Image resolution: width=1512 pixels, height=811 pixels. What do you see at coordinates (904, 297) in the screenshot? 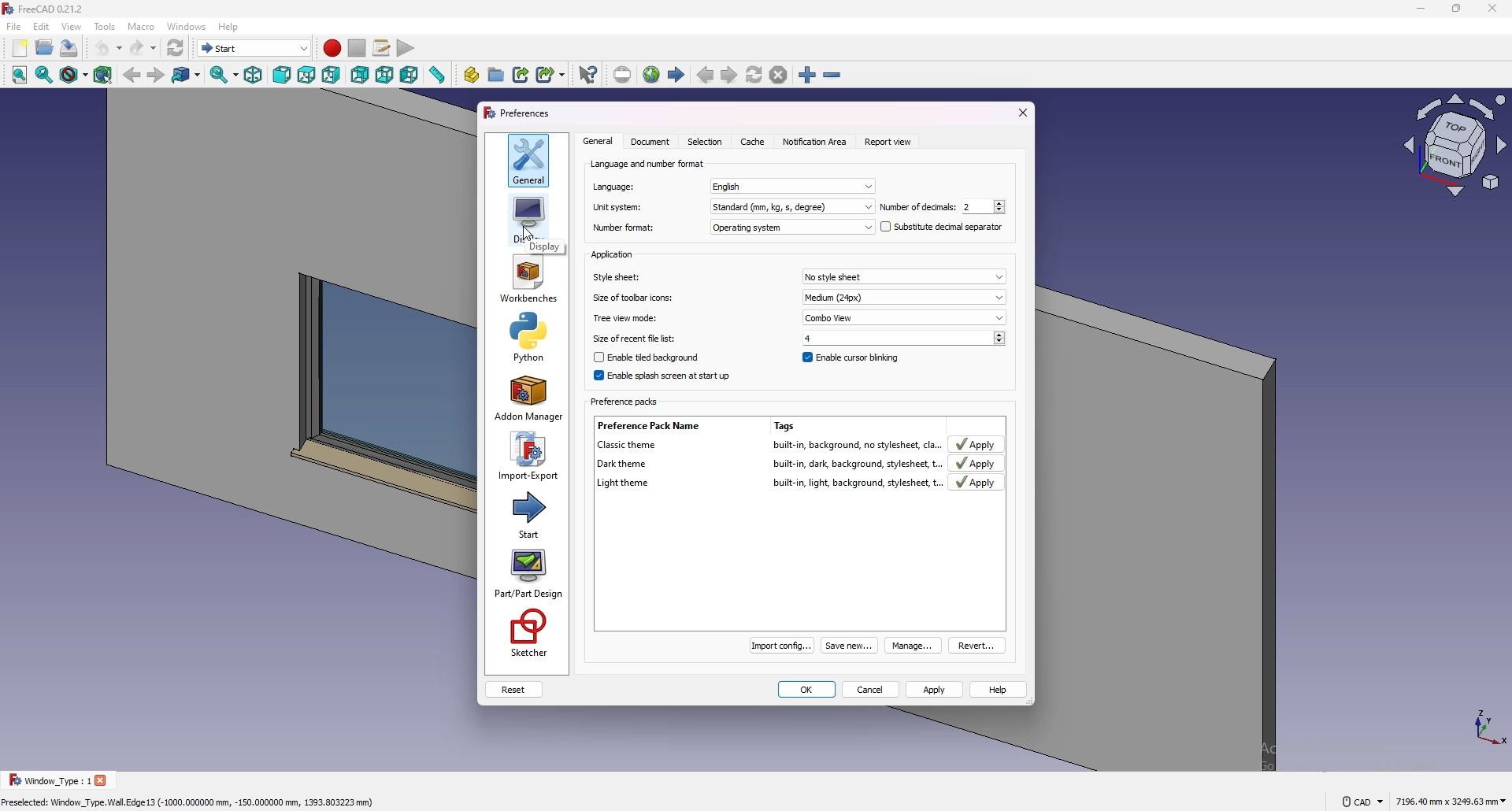
I see `Medium (24px) ` at bounding box center [904, 297].